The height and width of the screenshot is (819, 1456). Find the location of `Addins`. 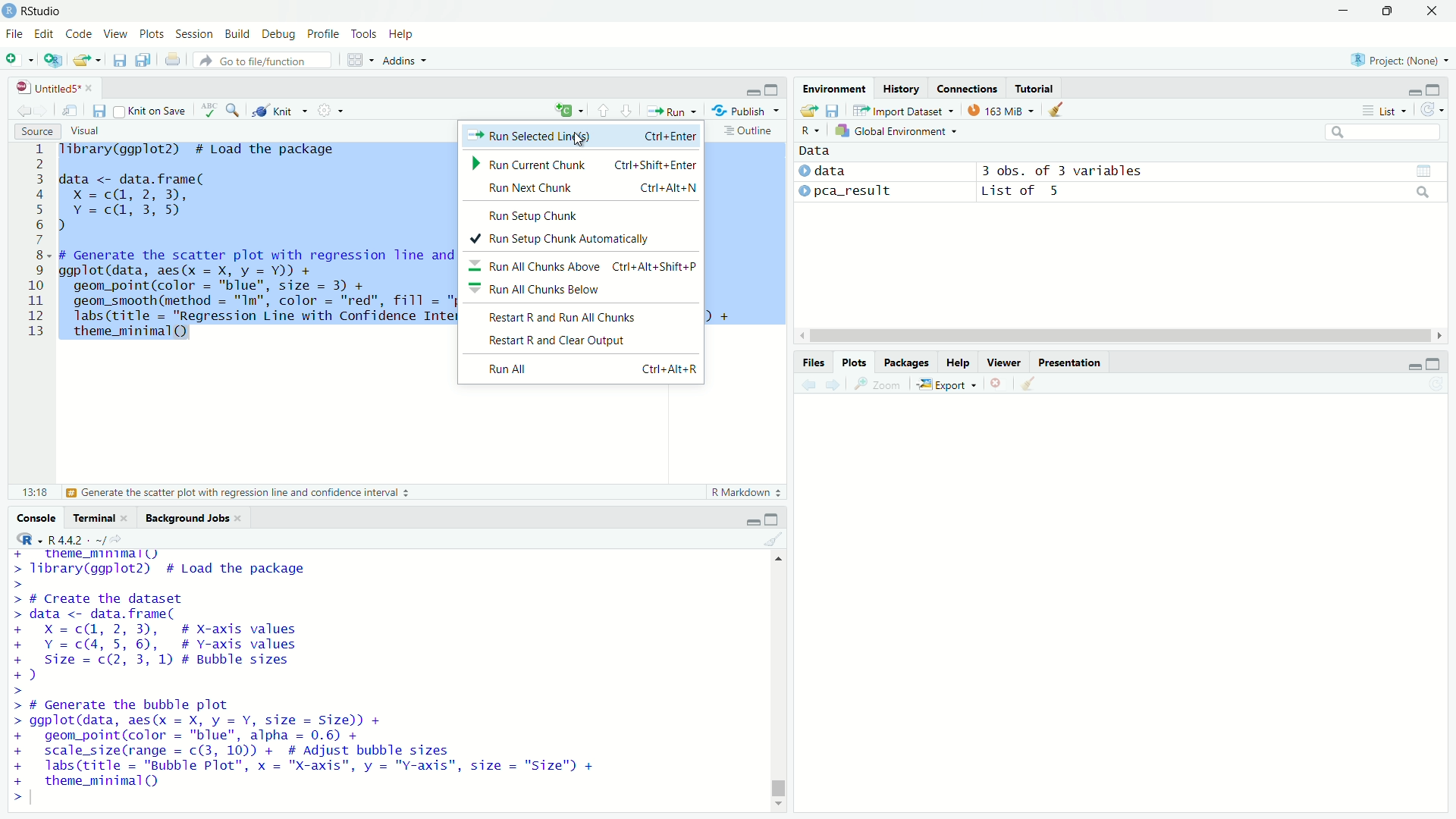

Addins is located at coordinates (404, 60).